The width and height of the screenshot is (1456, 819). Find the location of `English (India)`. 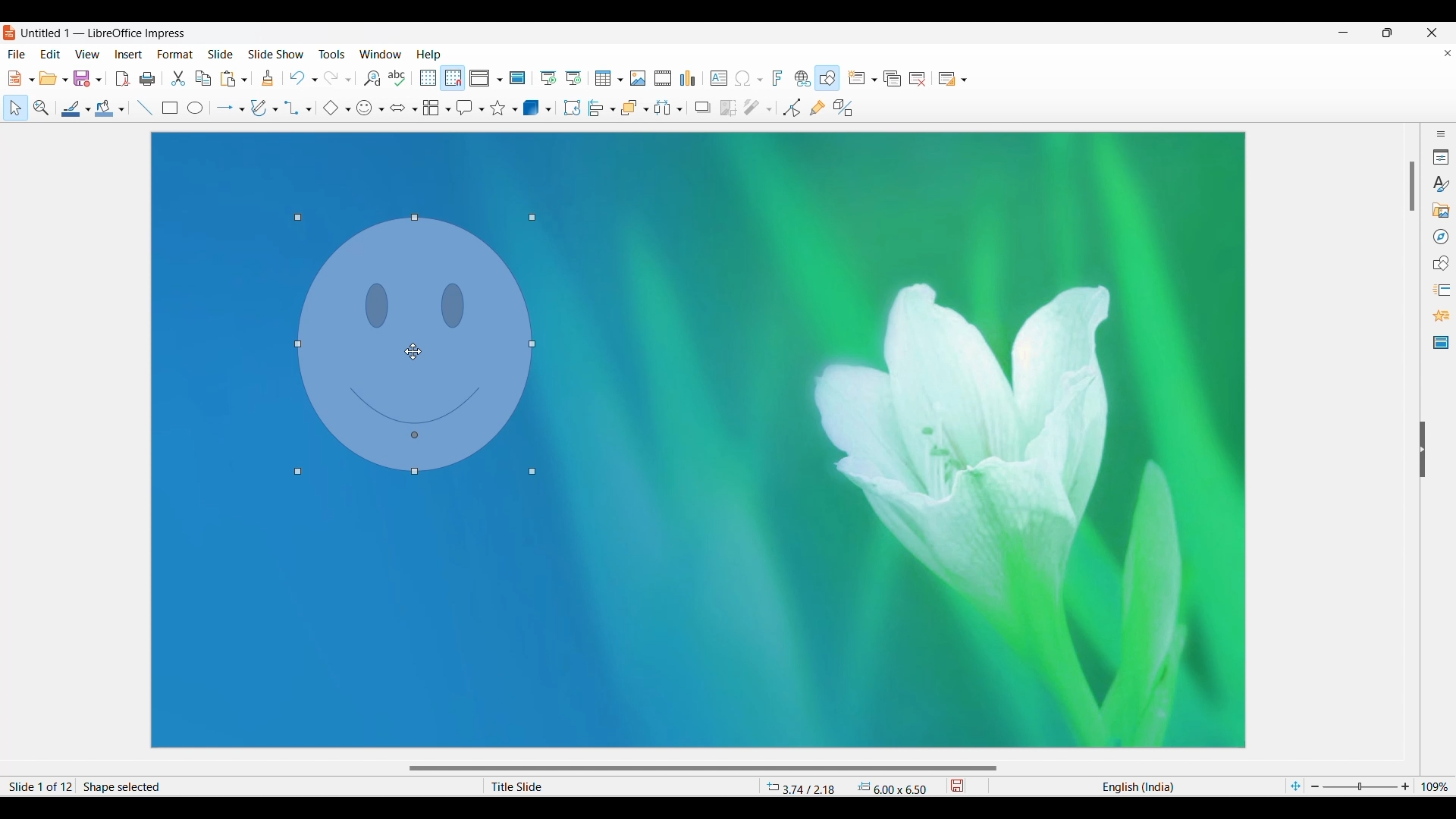

English (India) is located at coordinates (1137, 786).